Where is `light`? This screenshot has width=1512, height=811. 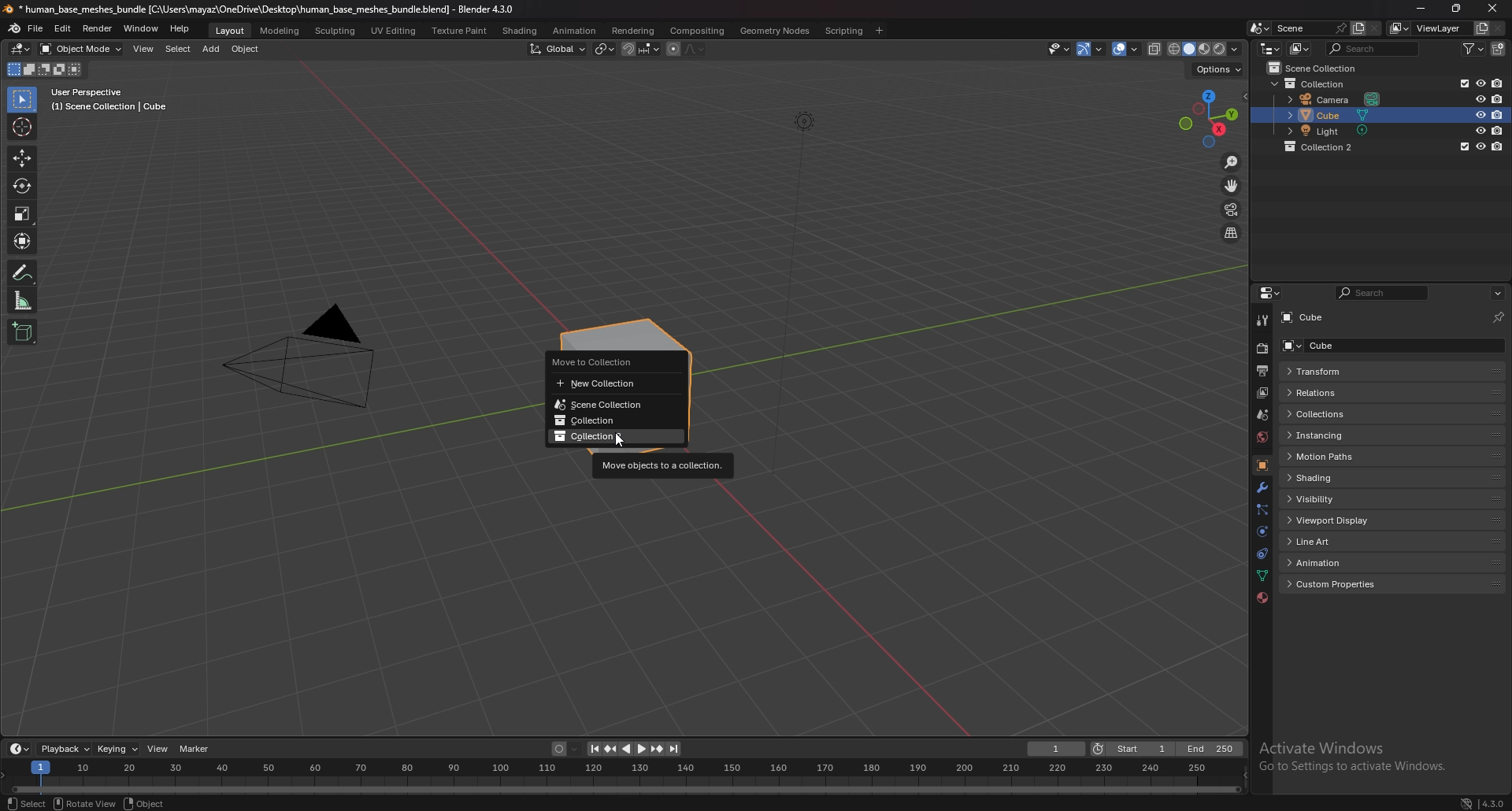
light is located at coordinates (1341, 130).